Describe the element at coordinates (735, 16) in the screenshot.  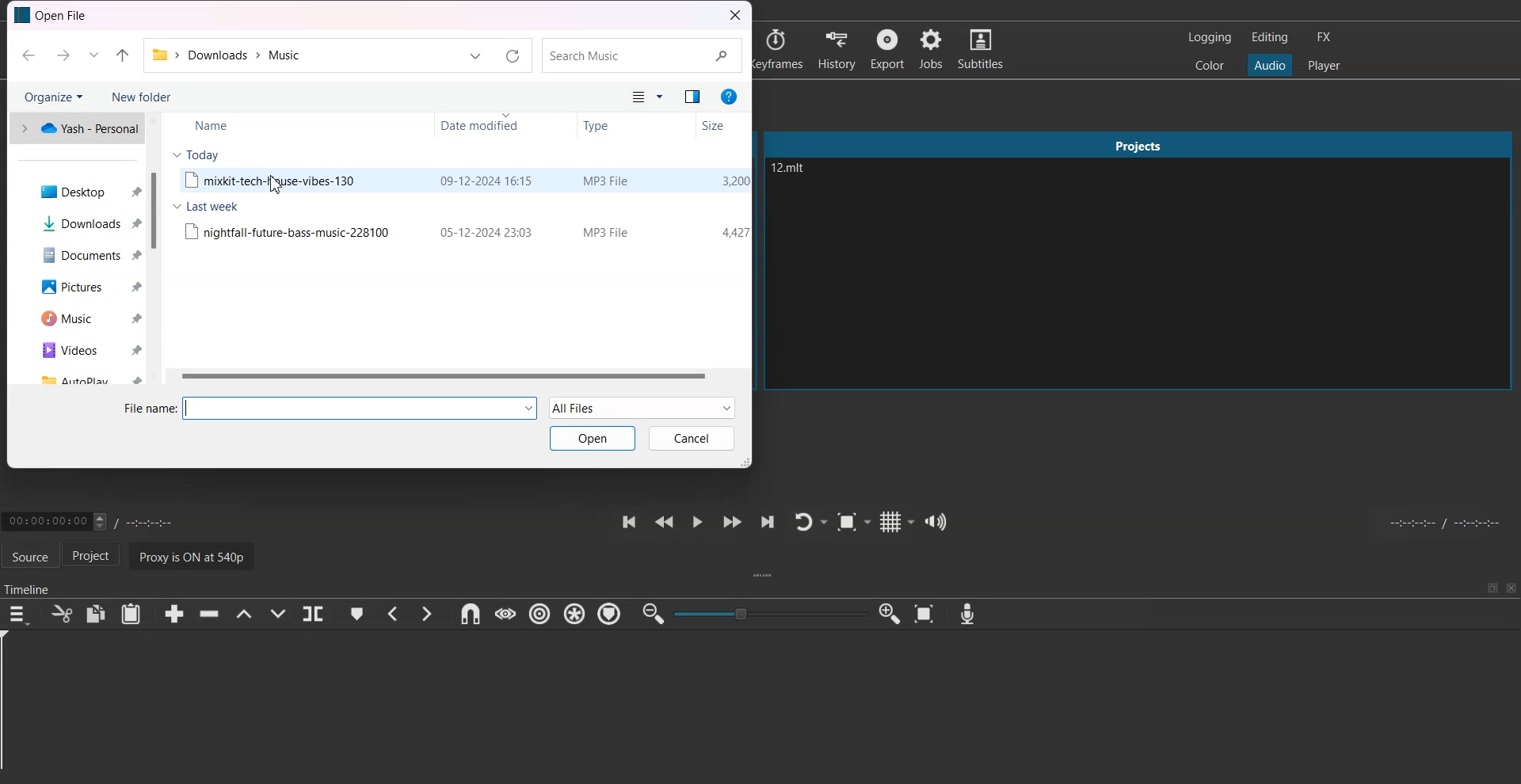
I see `Close` at that location.